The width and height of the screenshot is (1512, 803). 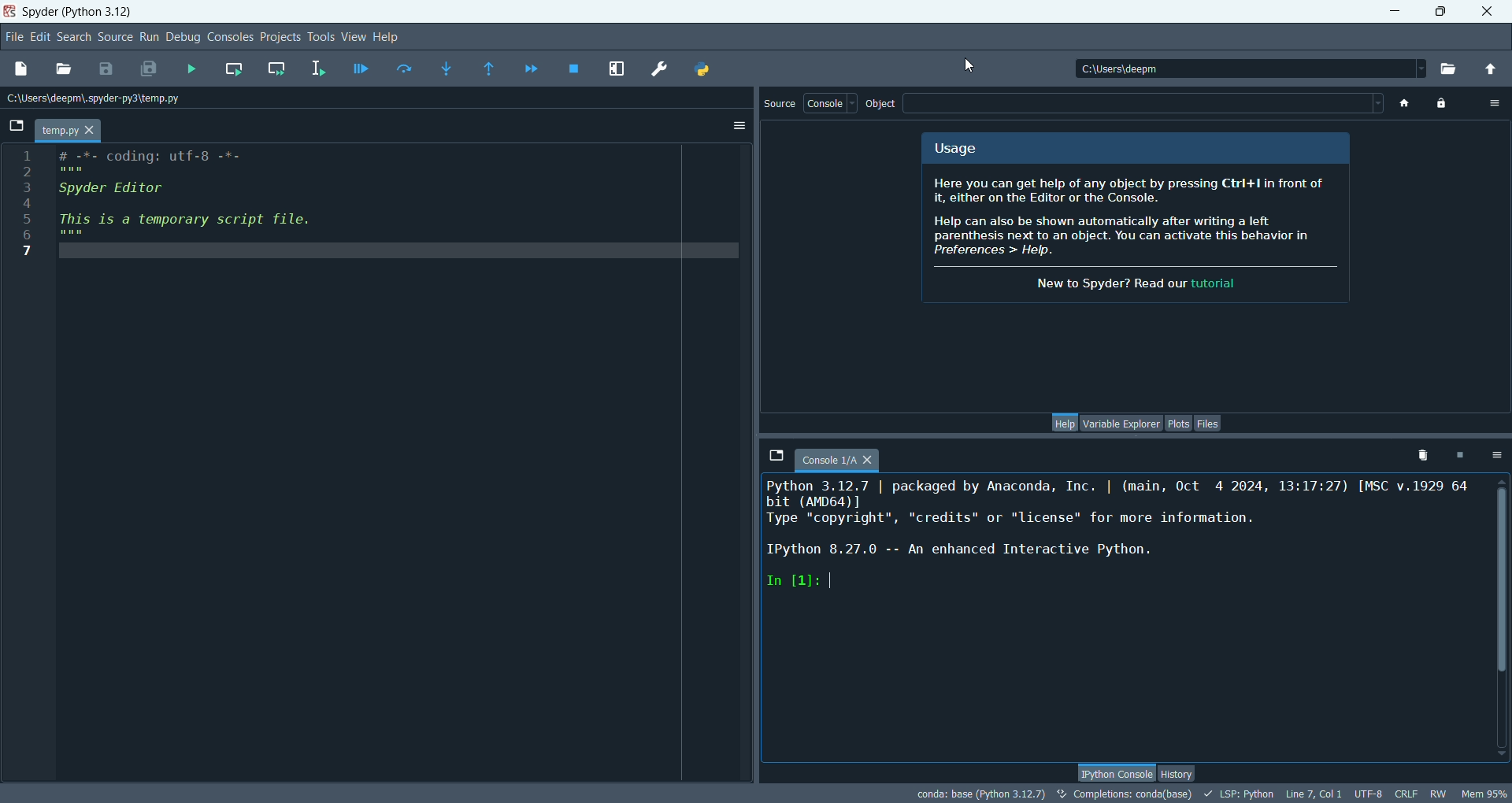 What do you see at coordinates (1458, 455) in the screenshot?
I see `interrupt kernel` at bounding box center [1458, 455].